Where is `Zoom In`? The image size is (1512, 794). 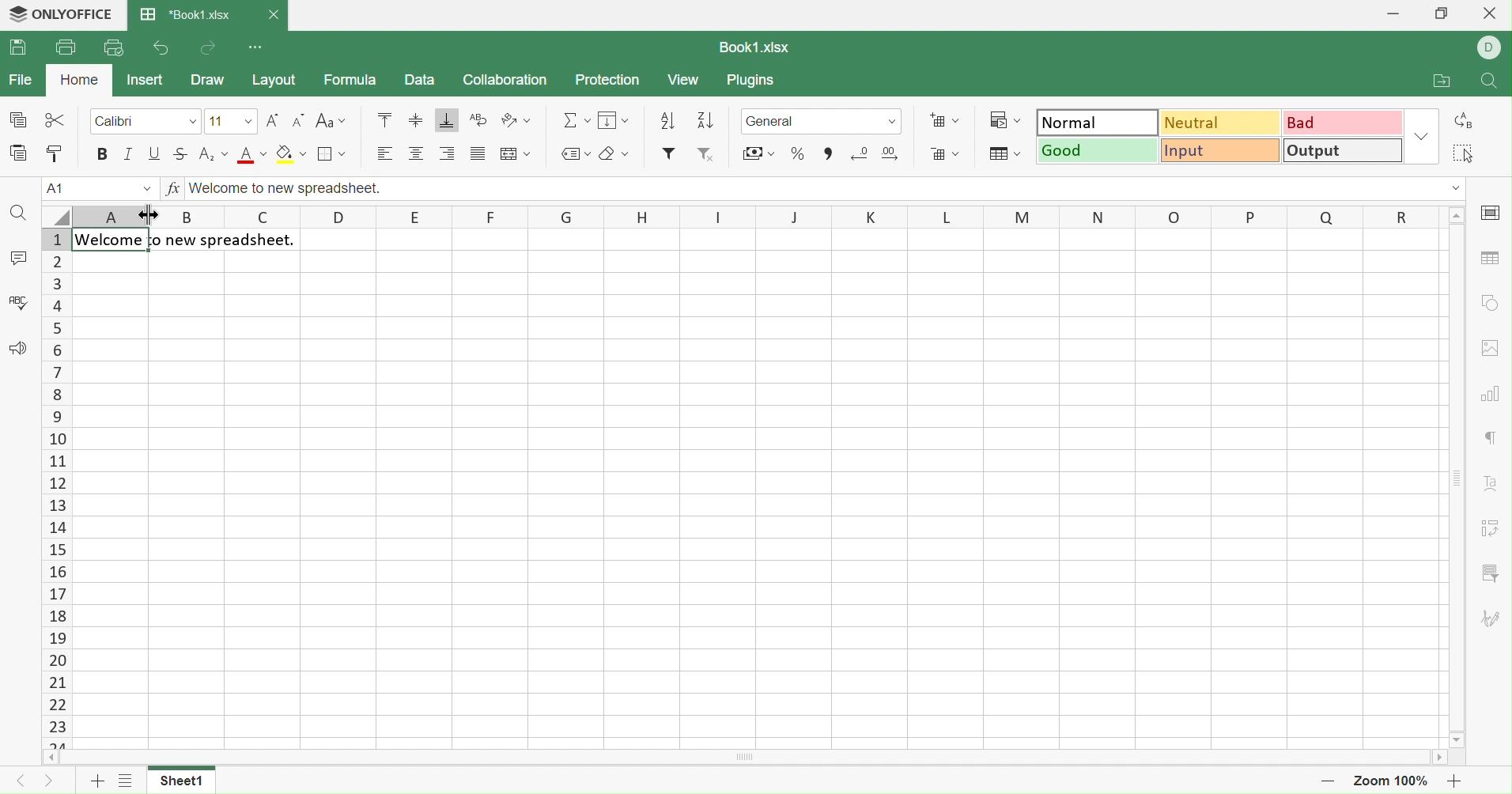 Zoom In is located at coordinates (1452, 781).